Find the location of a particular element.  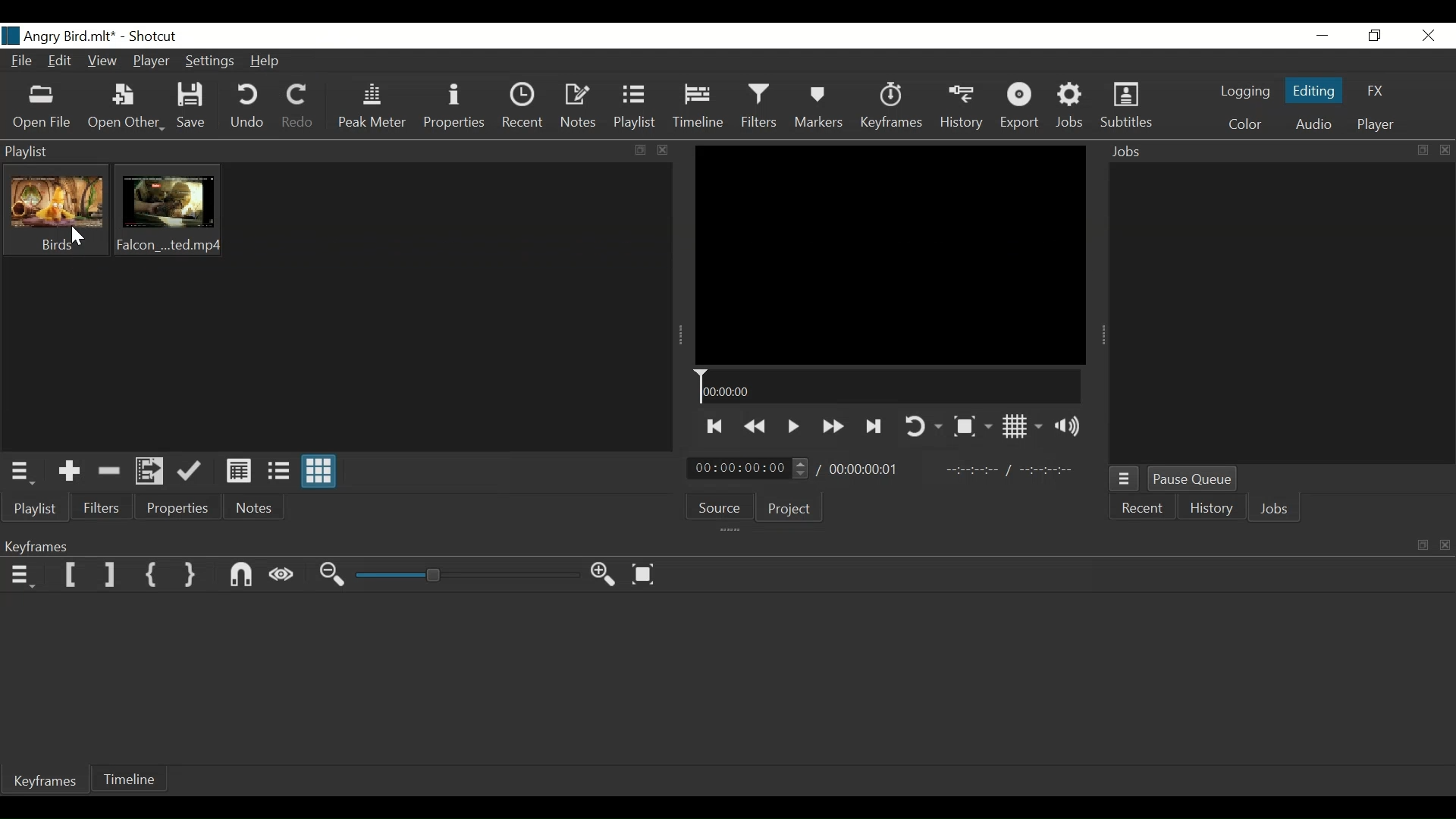

Notes is located at coordinates (256, 507).